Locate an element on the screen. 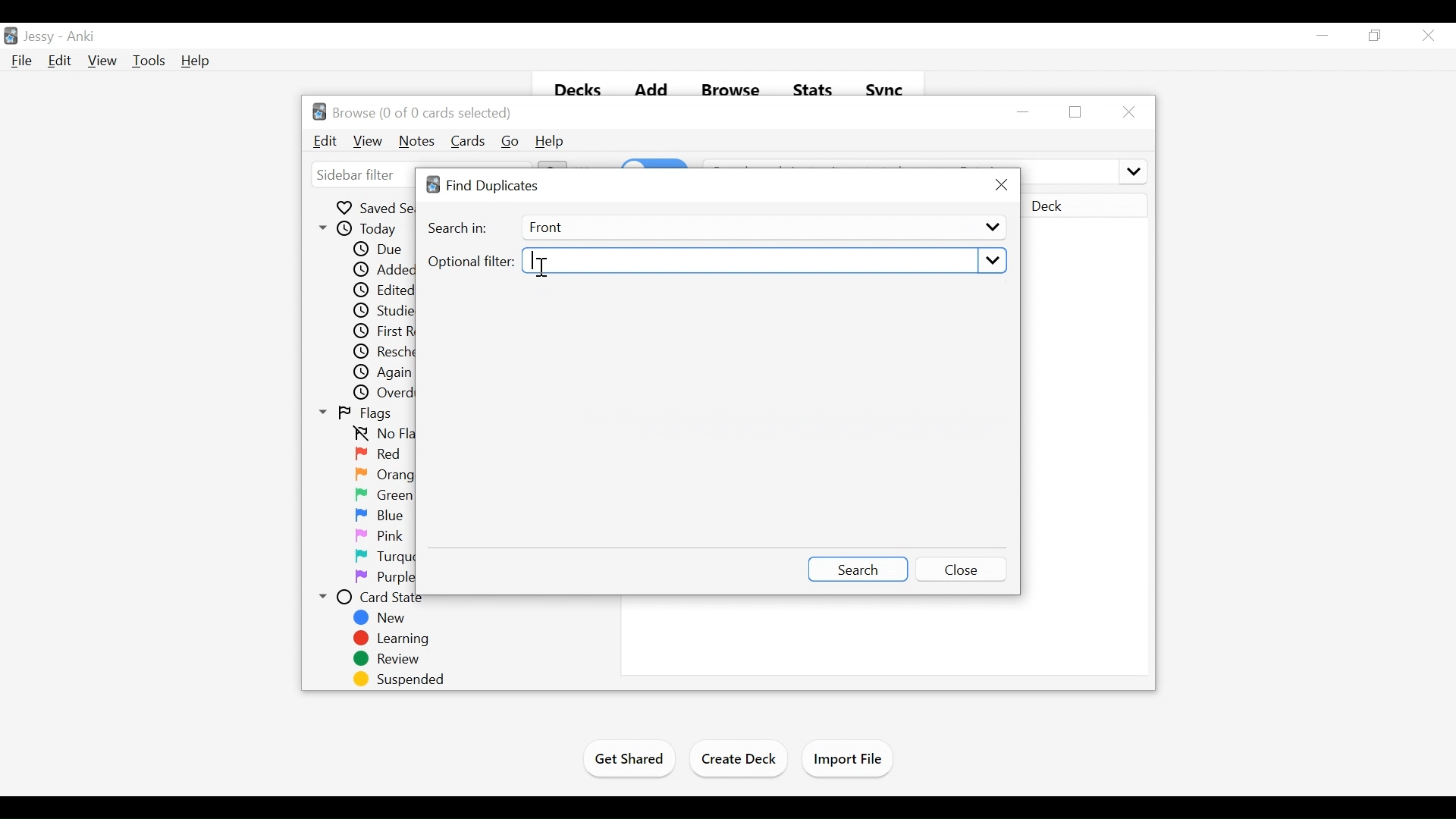 This screenshot has height=819, width=1456. Close is located at coordinates (963, 568).